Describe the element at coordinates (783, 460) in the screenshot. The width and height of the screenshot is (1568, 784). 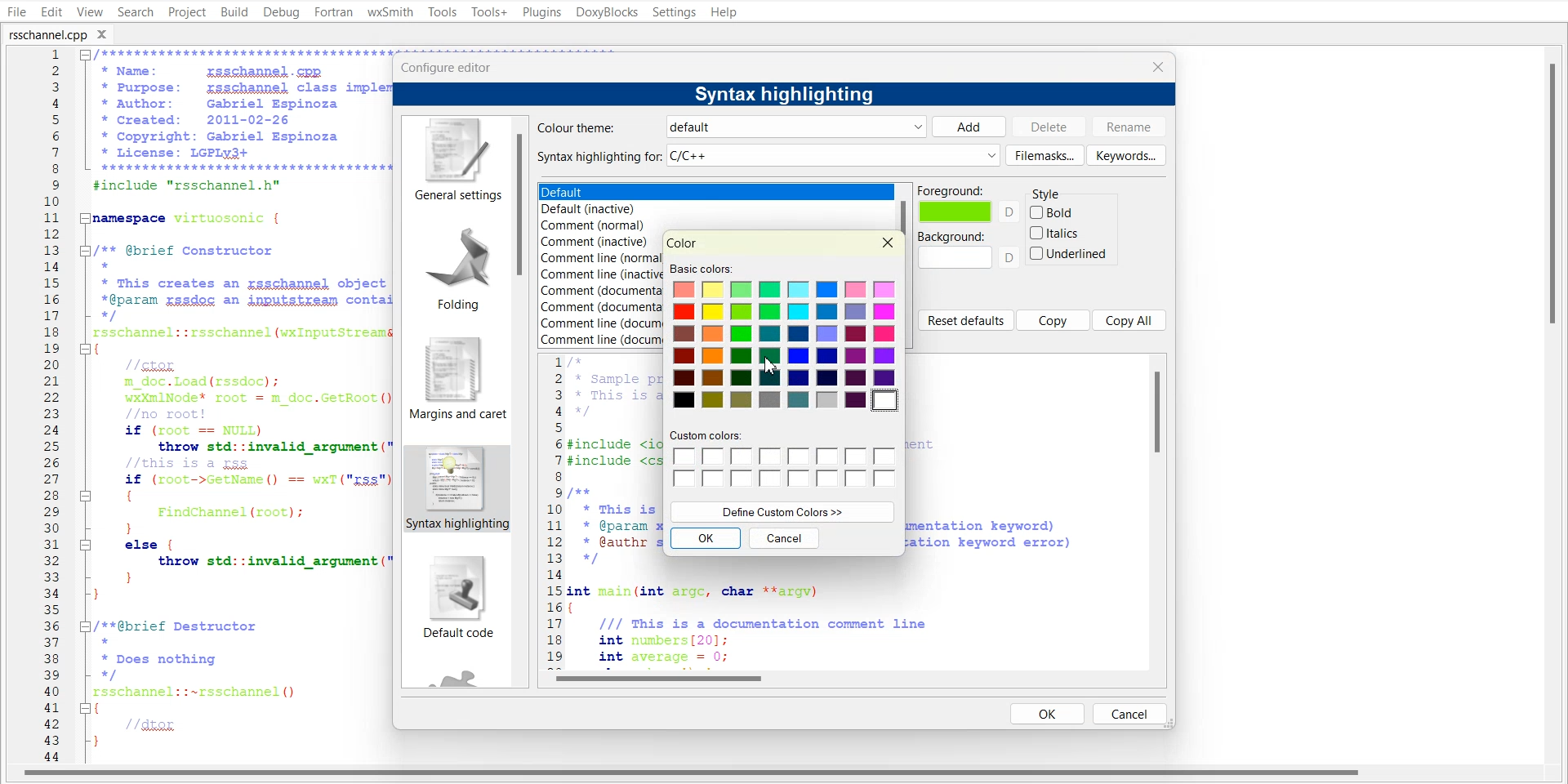
I see `Custom color` at that location.